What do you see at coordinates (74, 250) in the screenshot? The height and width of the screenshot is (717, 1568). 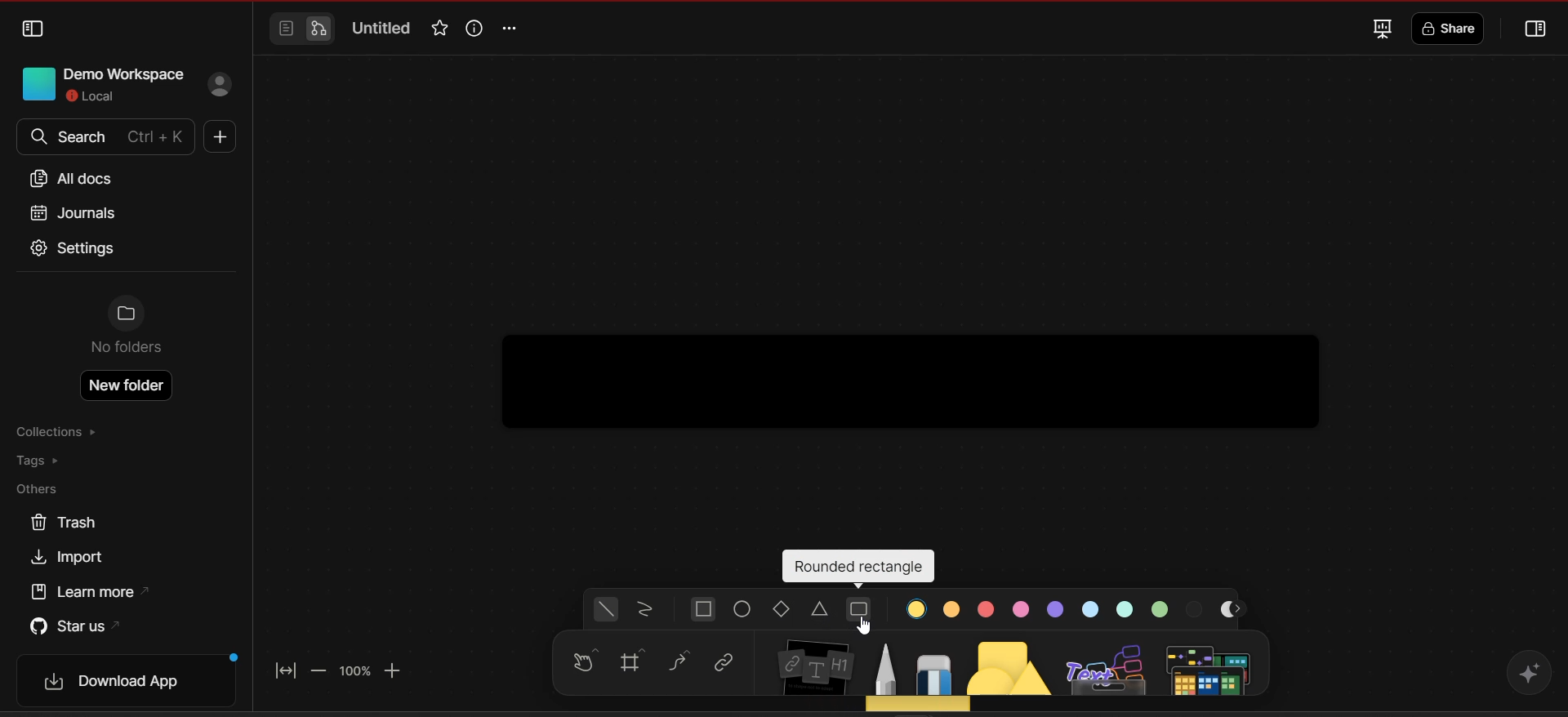 I see `settings` at bounding box center [74, 250].